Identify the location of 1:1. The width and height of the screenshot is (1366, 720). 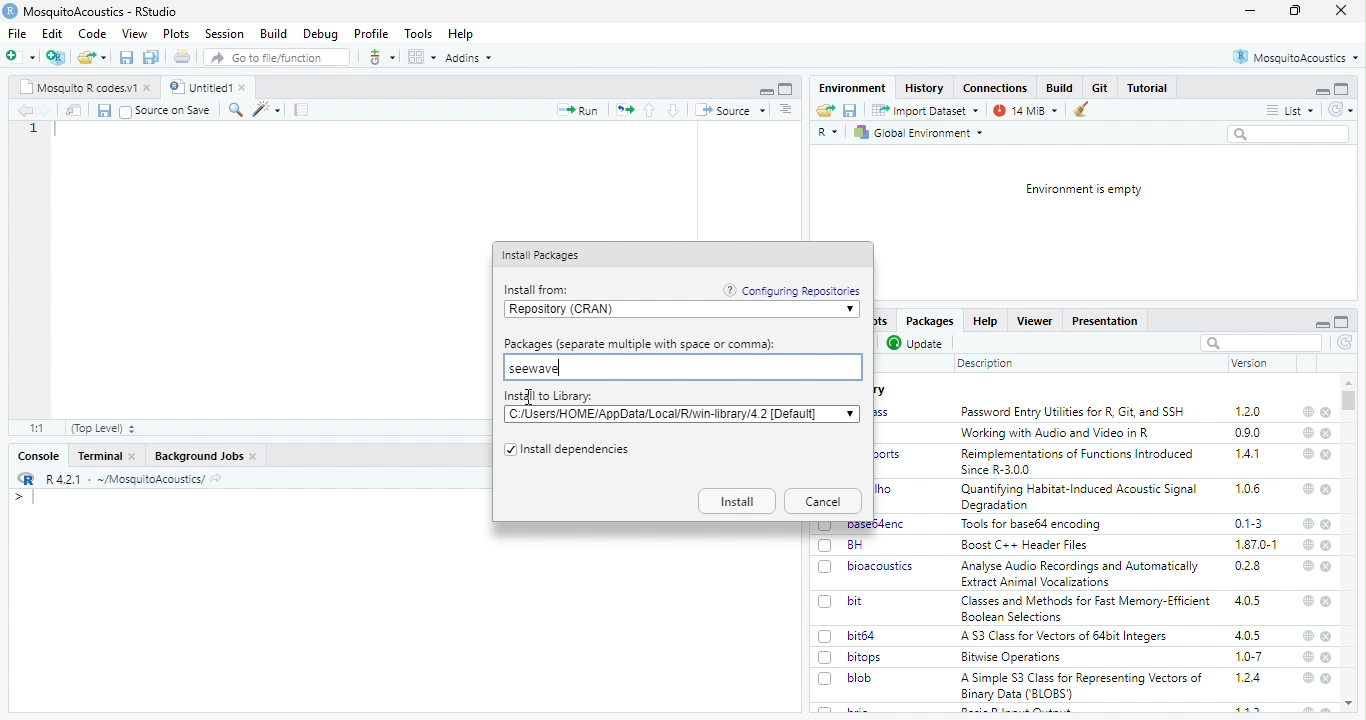
(39, 428).